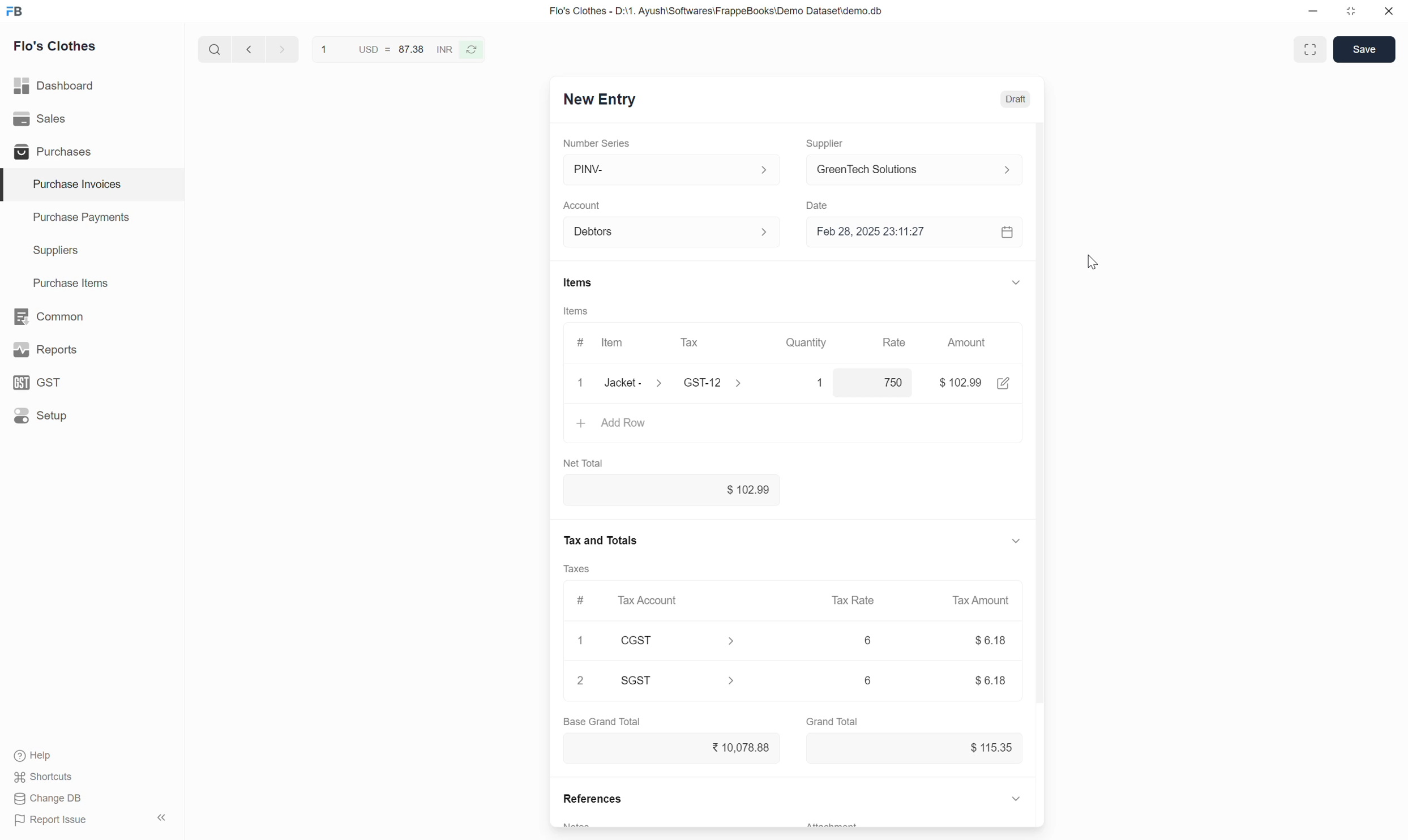 Image resolution: width=1408 pixels, height=840 pixels. What do you see at coordinates (868, 680) in the screenshot?
I see `6` at bounding box center [868, 680].